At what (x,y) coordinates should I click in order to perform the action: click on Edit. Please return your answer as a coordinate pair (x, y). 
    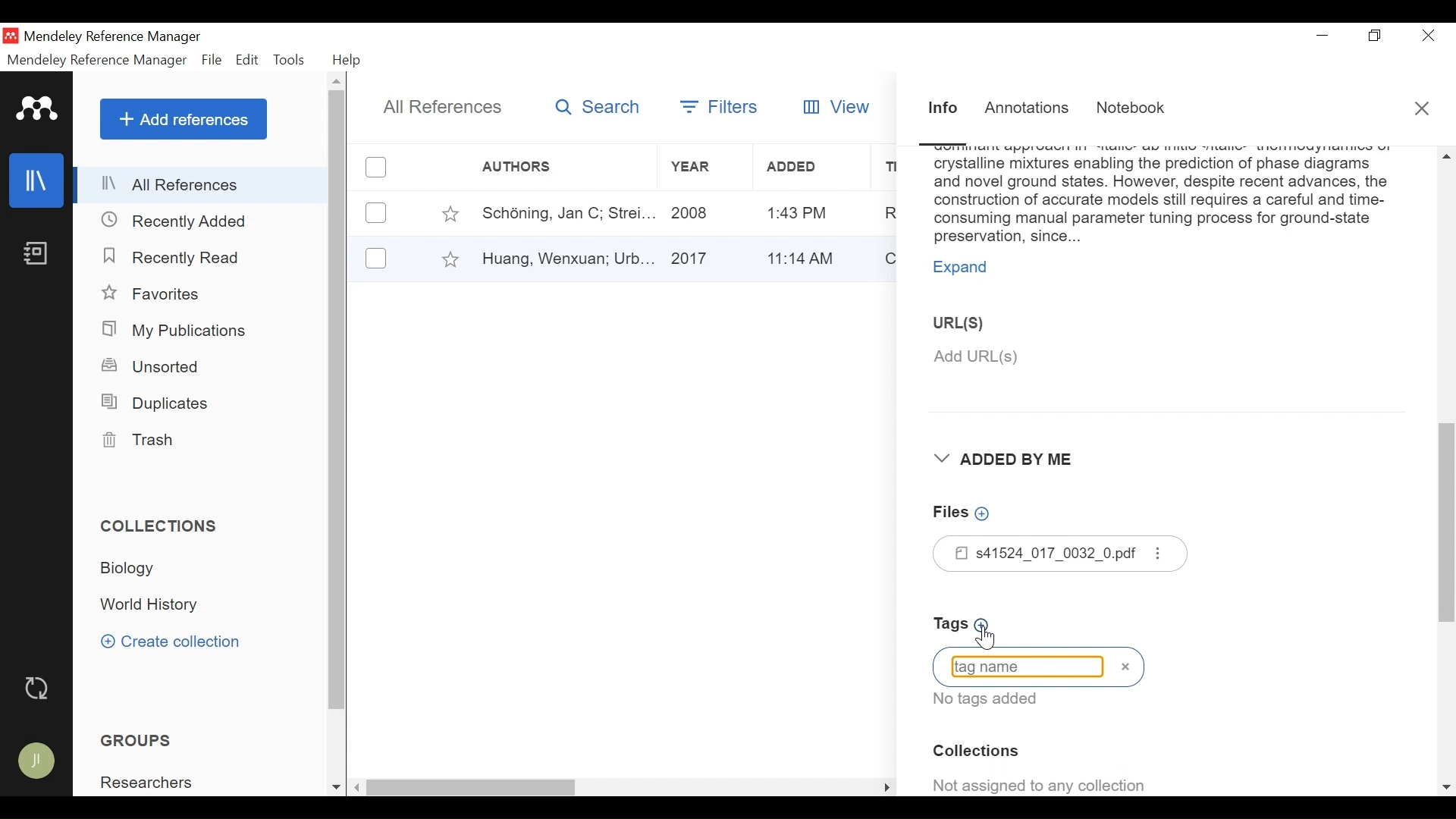
    Looking at the image, I should click on (247, 60).